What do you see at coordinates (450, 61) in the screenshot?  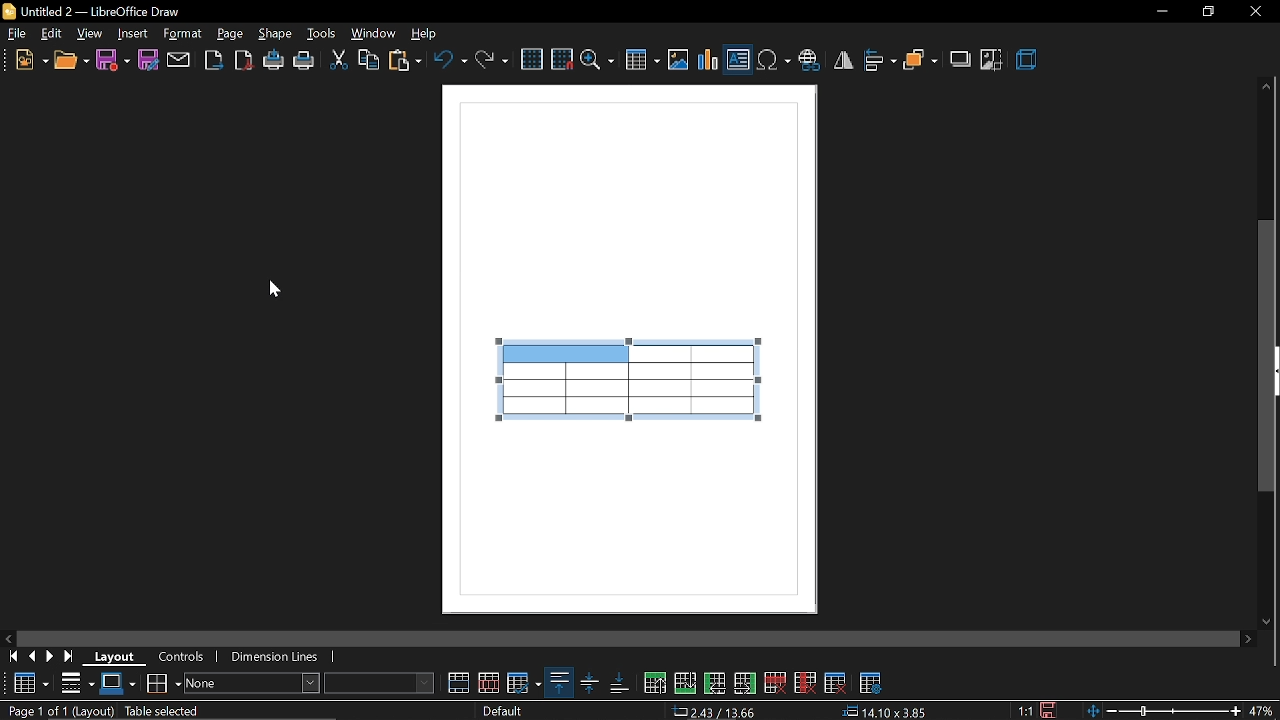 I see `undo` at bounding box center [450, 61].